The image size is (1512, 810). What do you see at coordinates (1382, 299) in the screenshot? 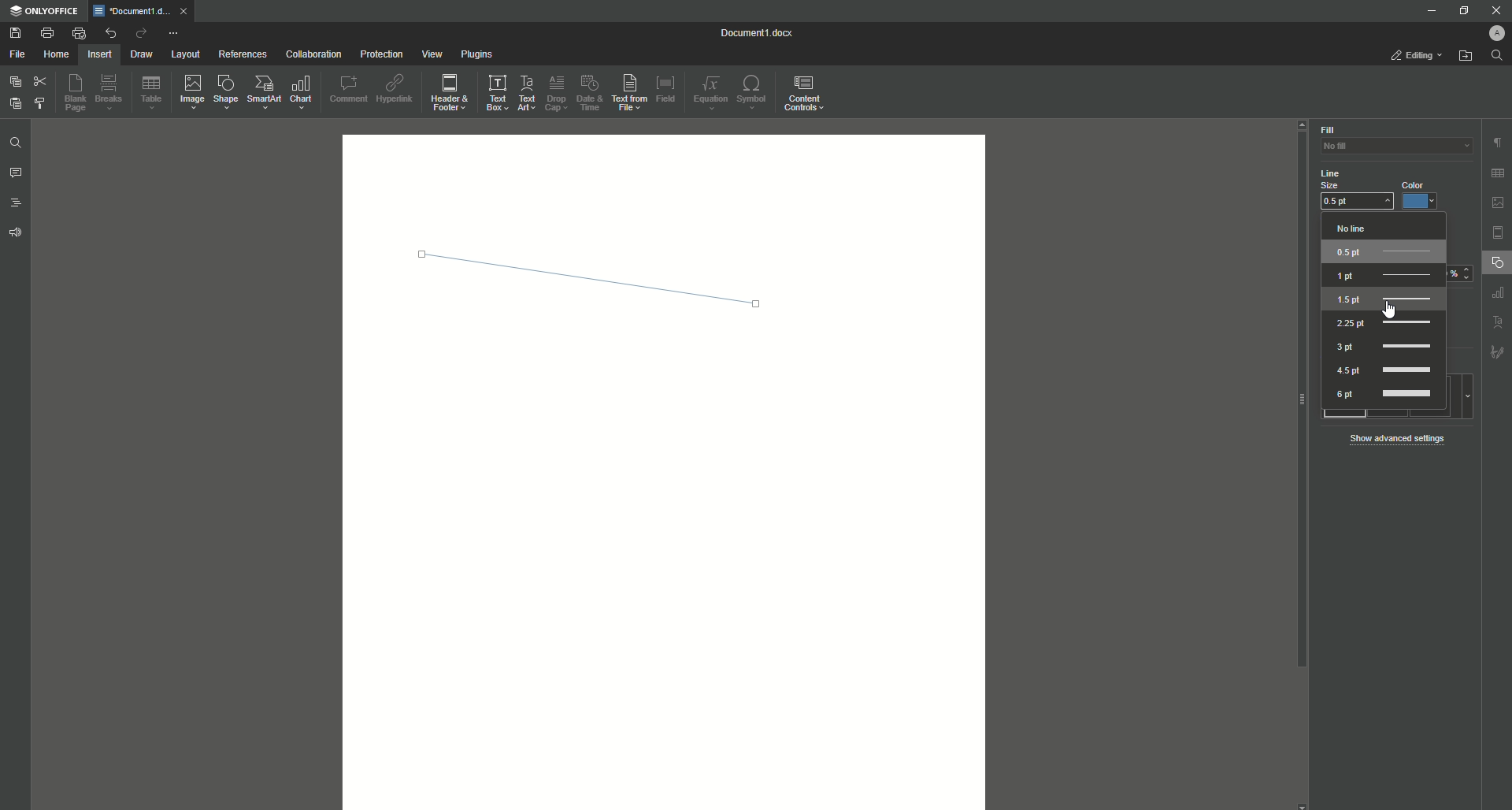
I see `1.5 pt` at bounding box center [1382, 299].